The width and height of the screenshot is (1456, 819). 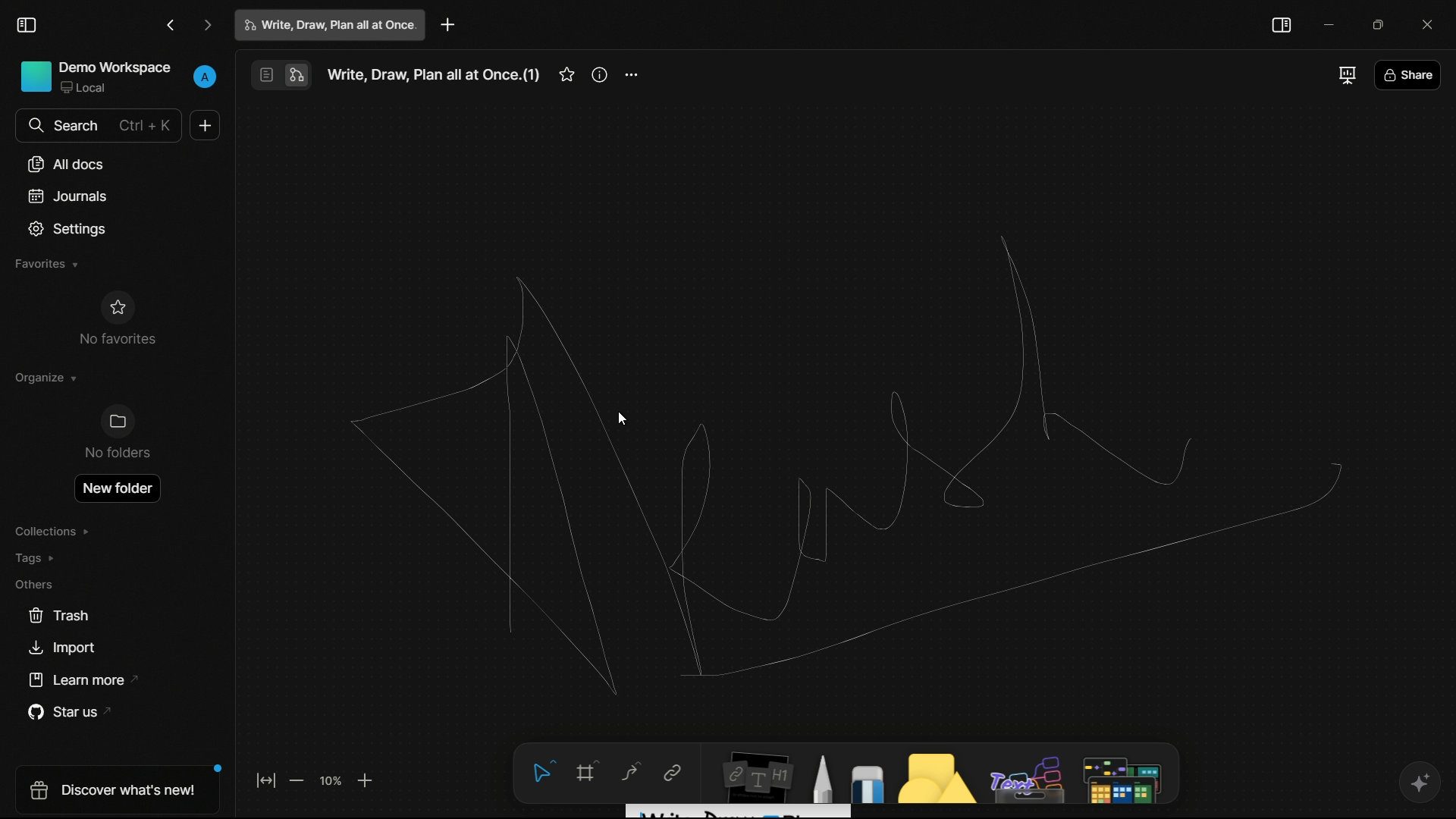 I want to click on Icon, so click(x=119, y=422).